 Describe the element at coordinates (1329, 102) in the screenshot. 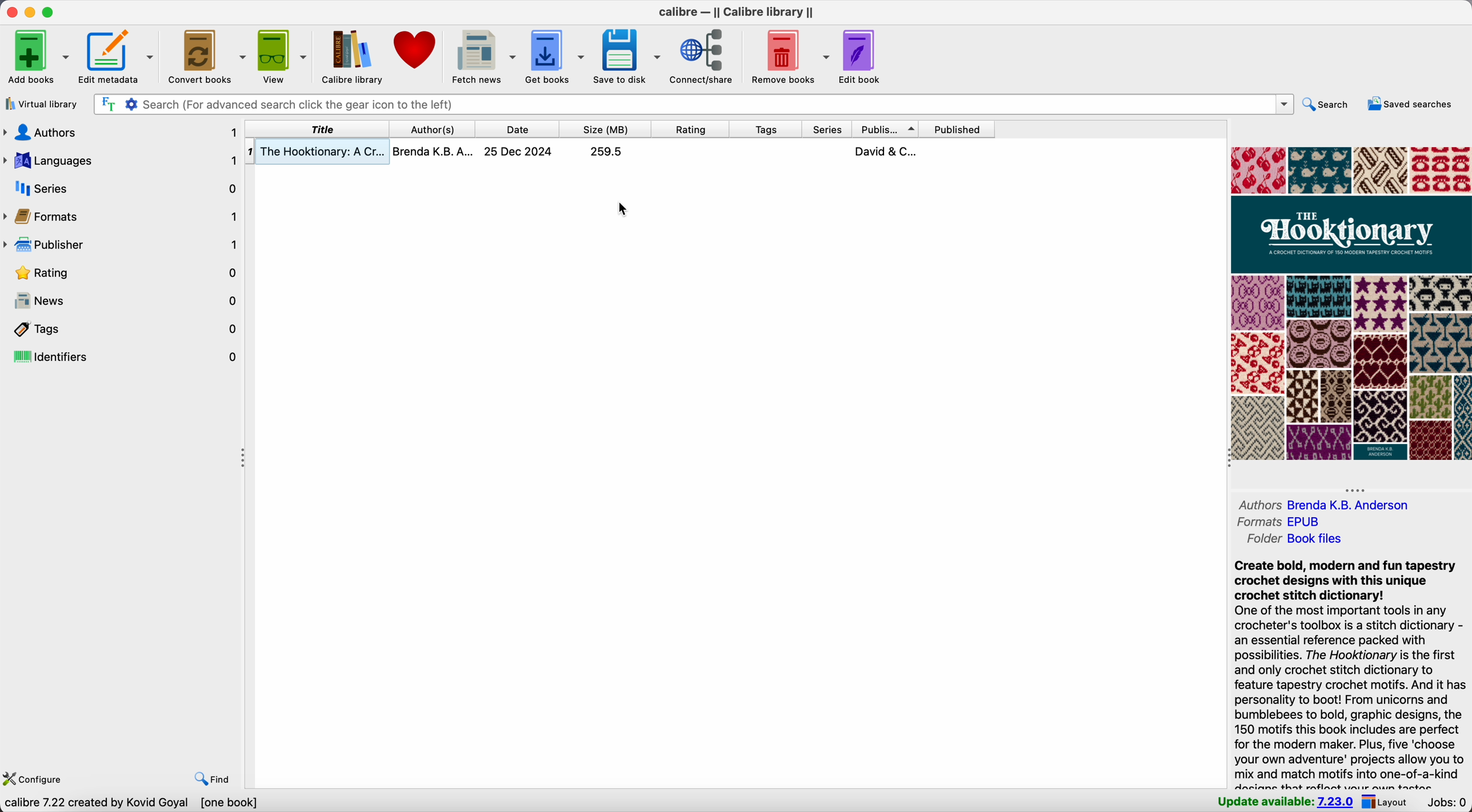

I see `search` at that location.